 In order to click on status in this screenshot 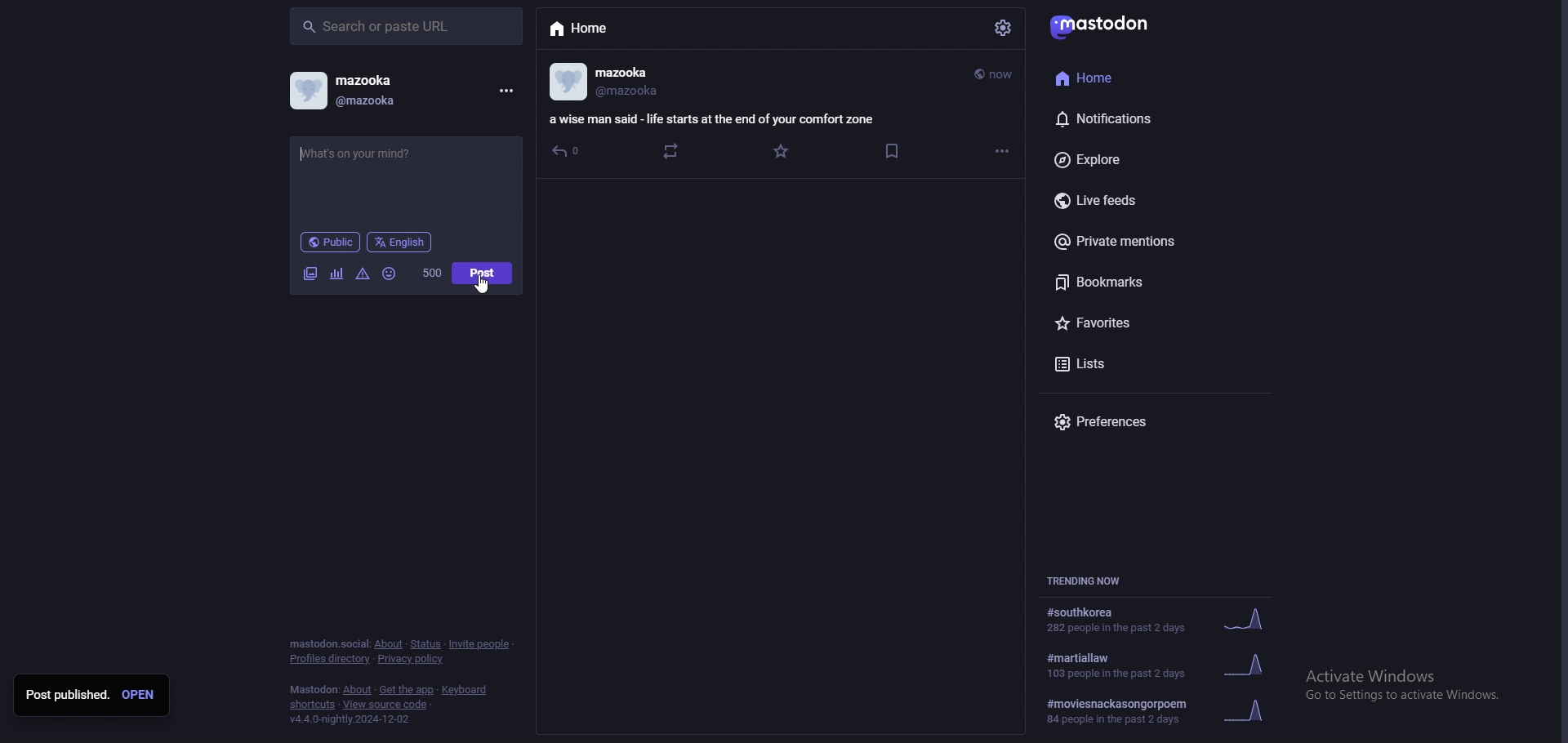, I will do `click(425, 643)`.